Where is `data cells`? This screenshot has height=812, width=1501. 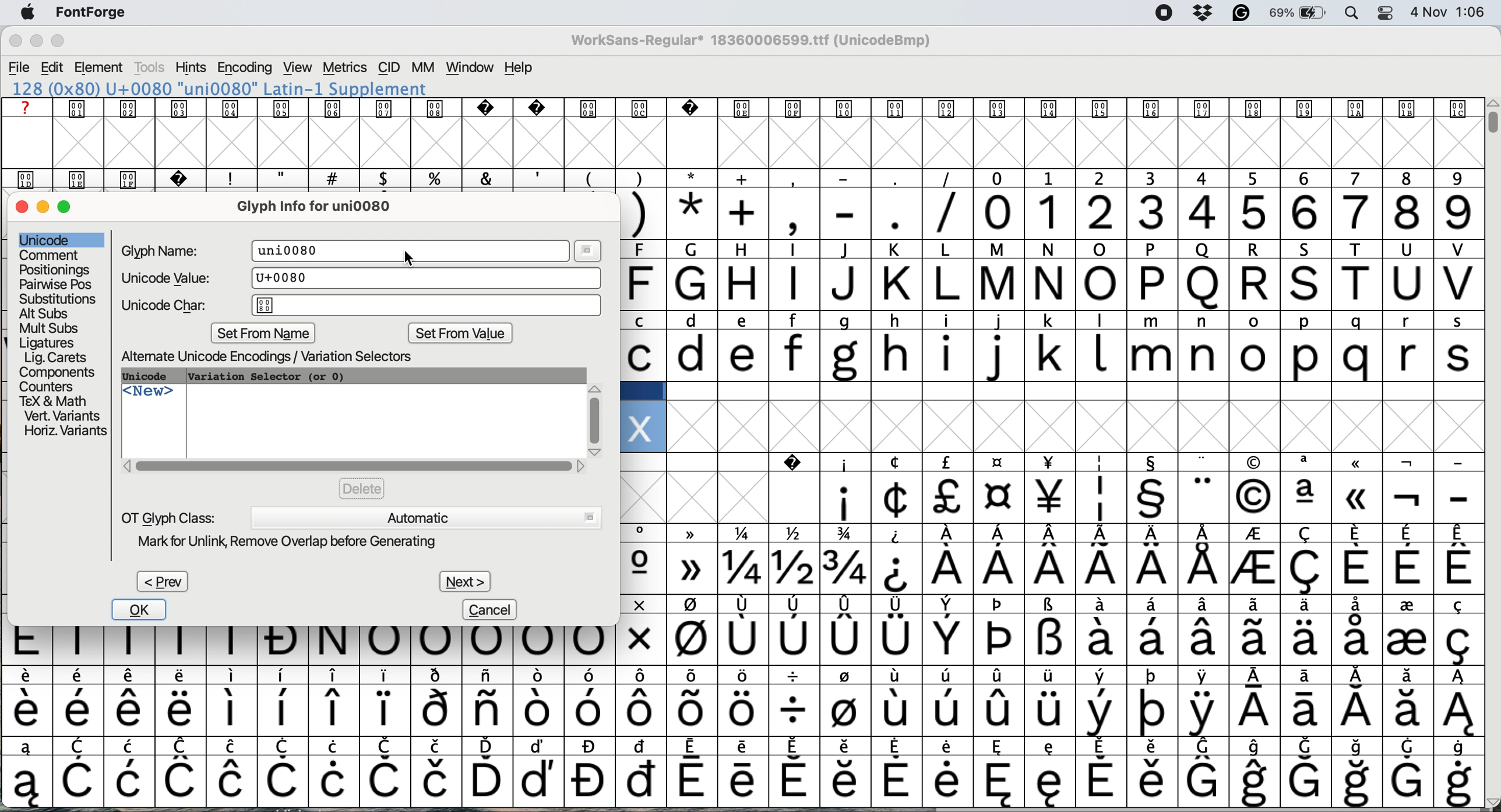
data cells is located at coordinates (1054, 391).